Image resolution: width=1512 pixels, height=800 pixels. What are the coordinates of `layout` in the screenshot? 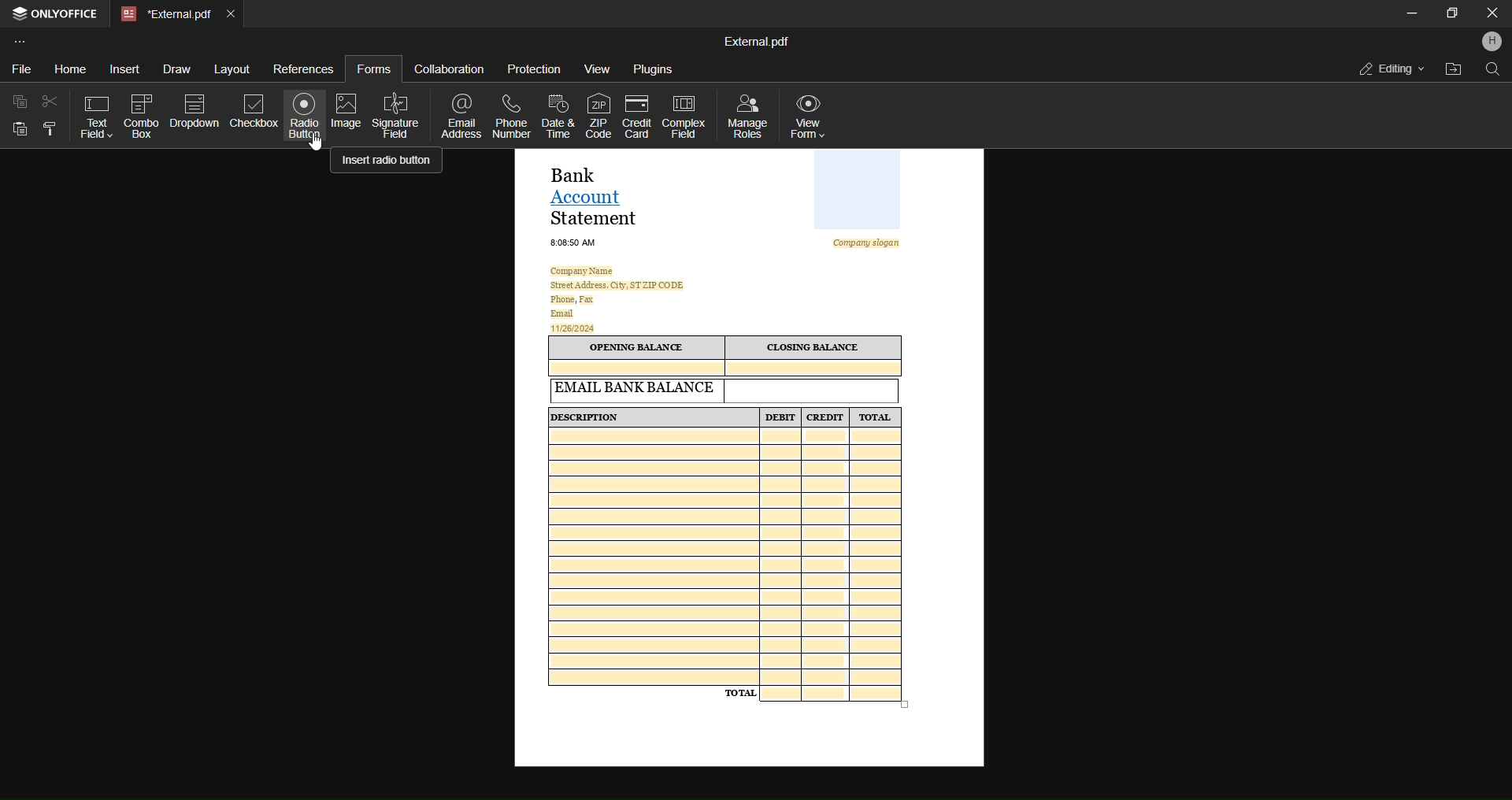 It's located at (233, 68).